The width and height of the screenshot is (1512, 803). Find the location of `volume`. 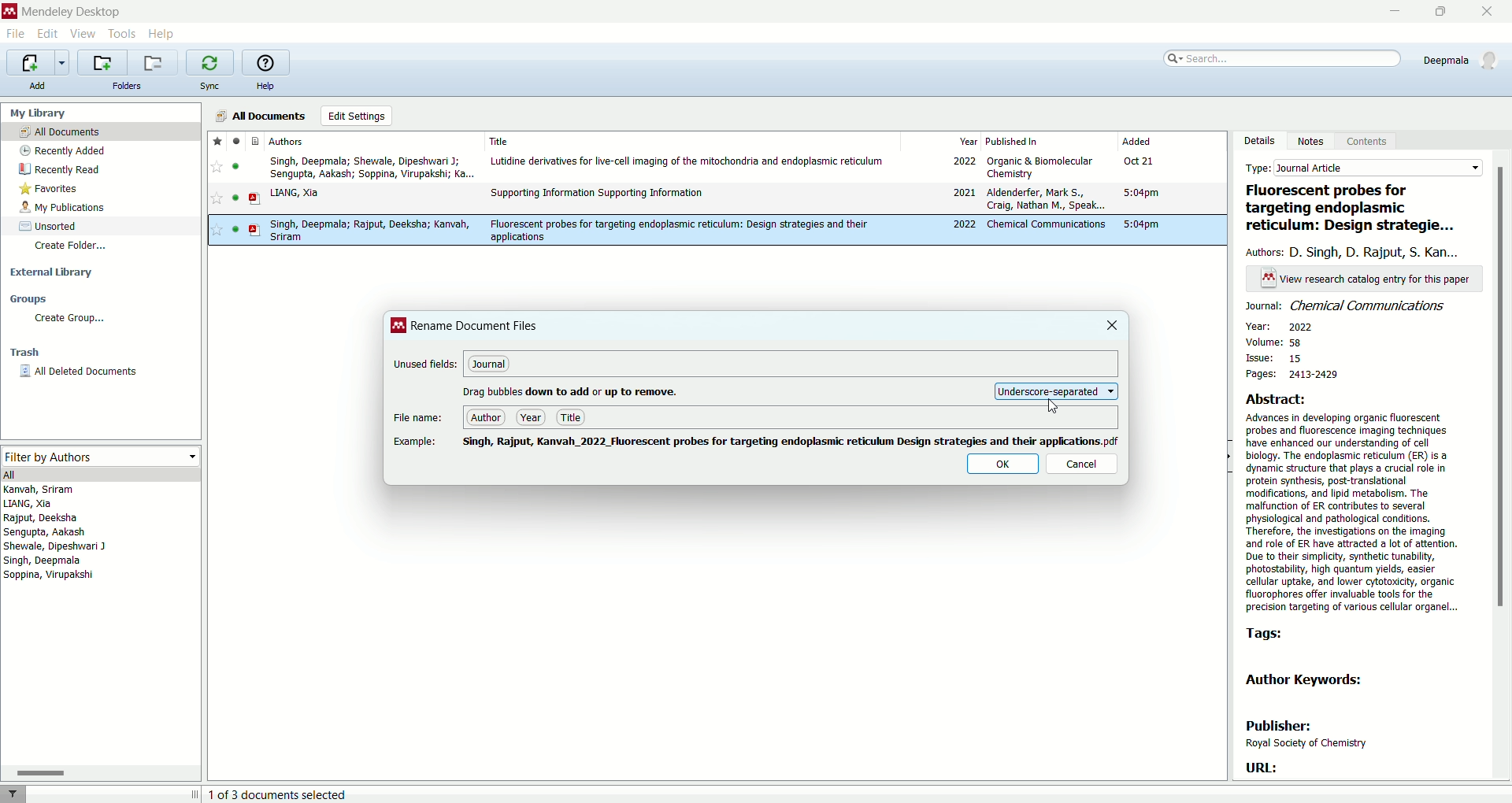

volume is located at coordinates (1286, 342).